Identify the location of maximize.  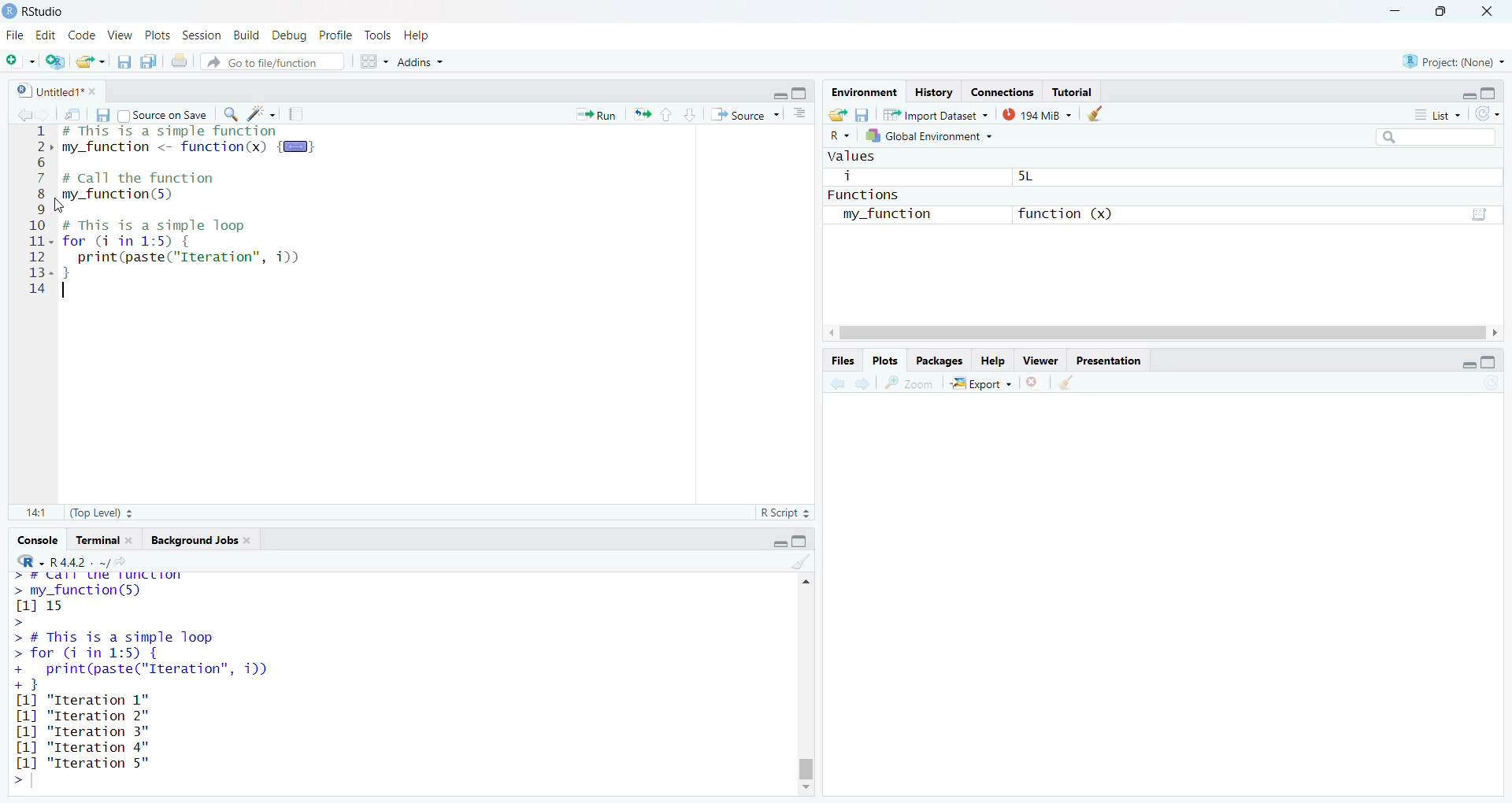
(1496, 90).